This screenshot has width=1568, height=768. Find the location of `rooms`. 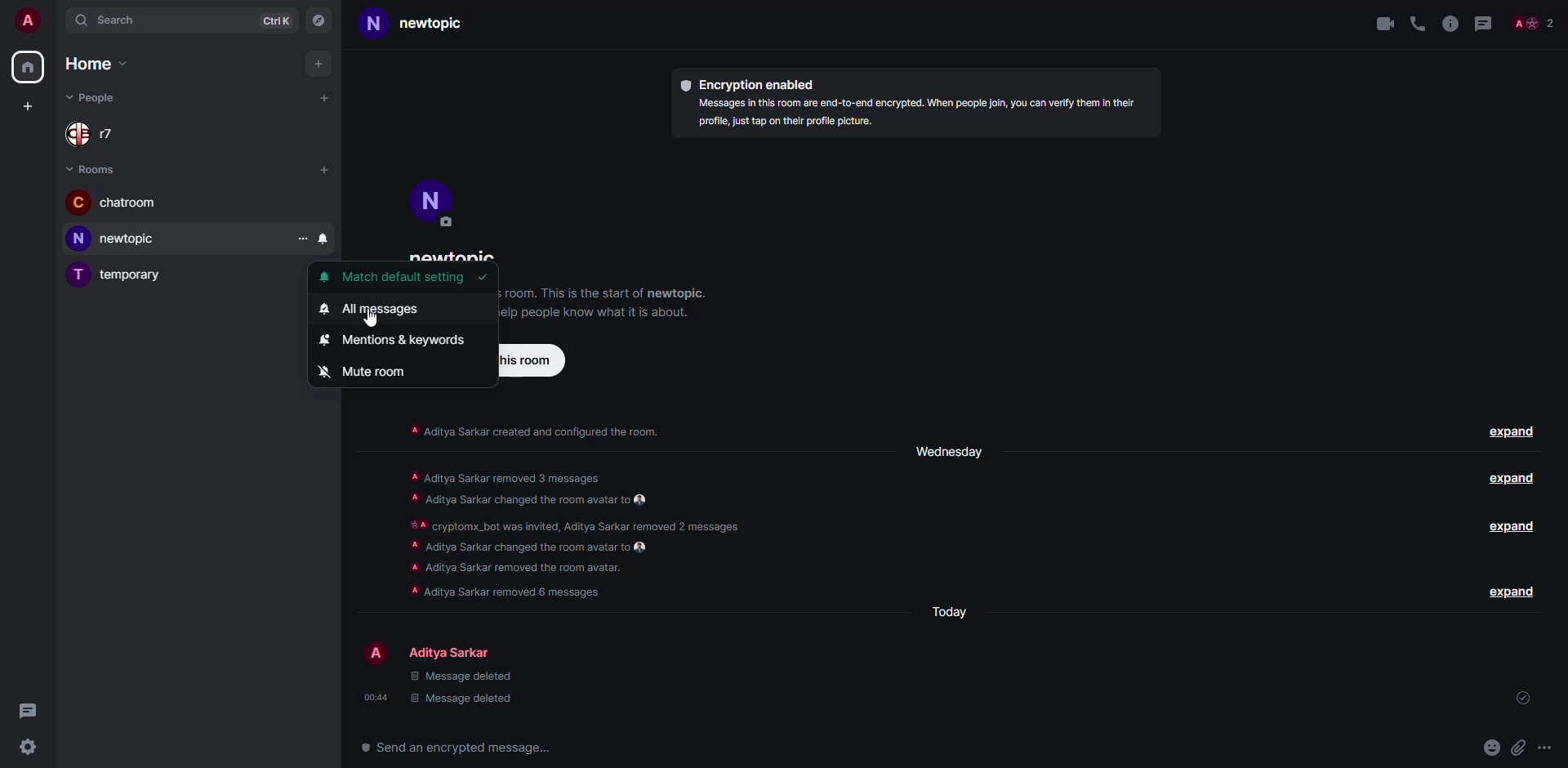

rooms is located at coordinates (94, 169).